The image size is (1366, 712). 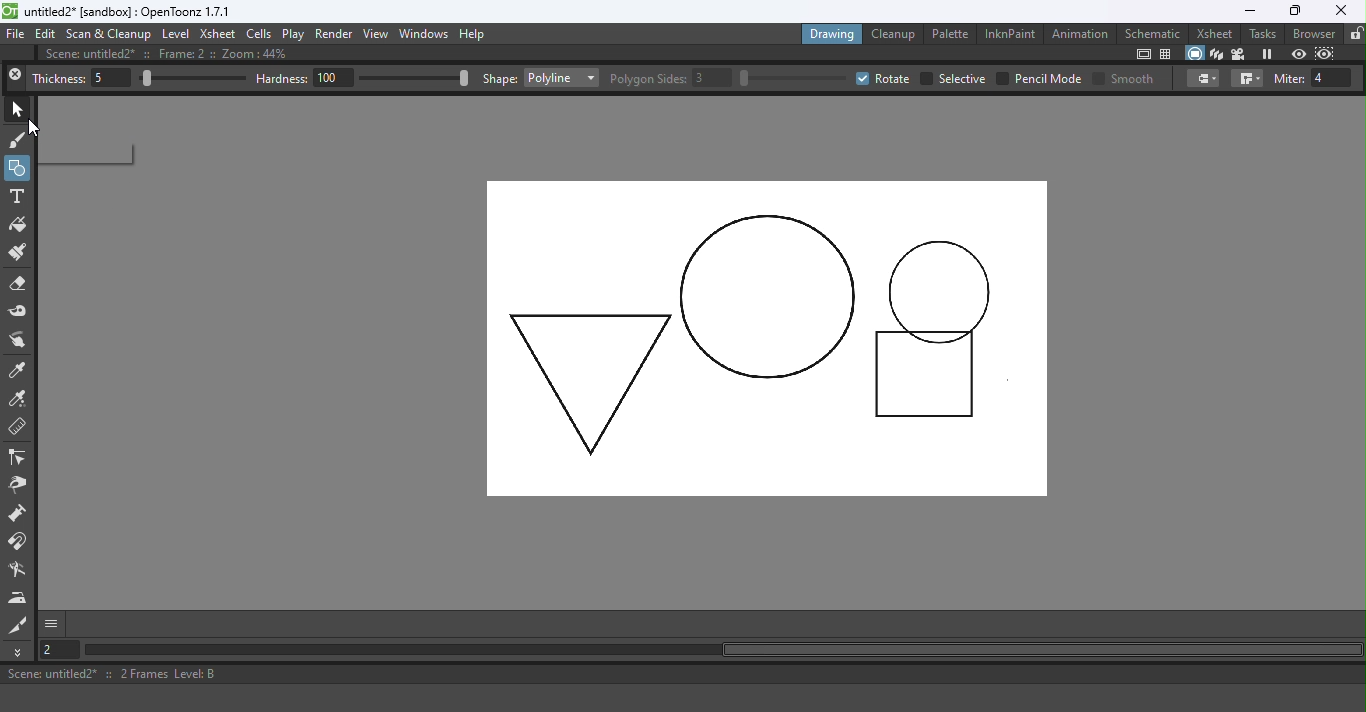 What do you see at coordinates (681, 675) in the screenshot?
I see `Scene: untitled2* :: 2 Frames Level: B` at bounding box center [681, 675].